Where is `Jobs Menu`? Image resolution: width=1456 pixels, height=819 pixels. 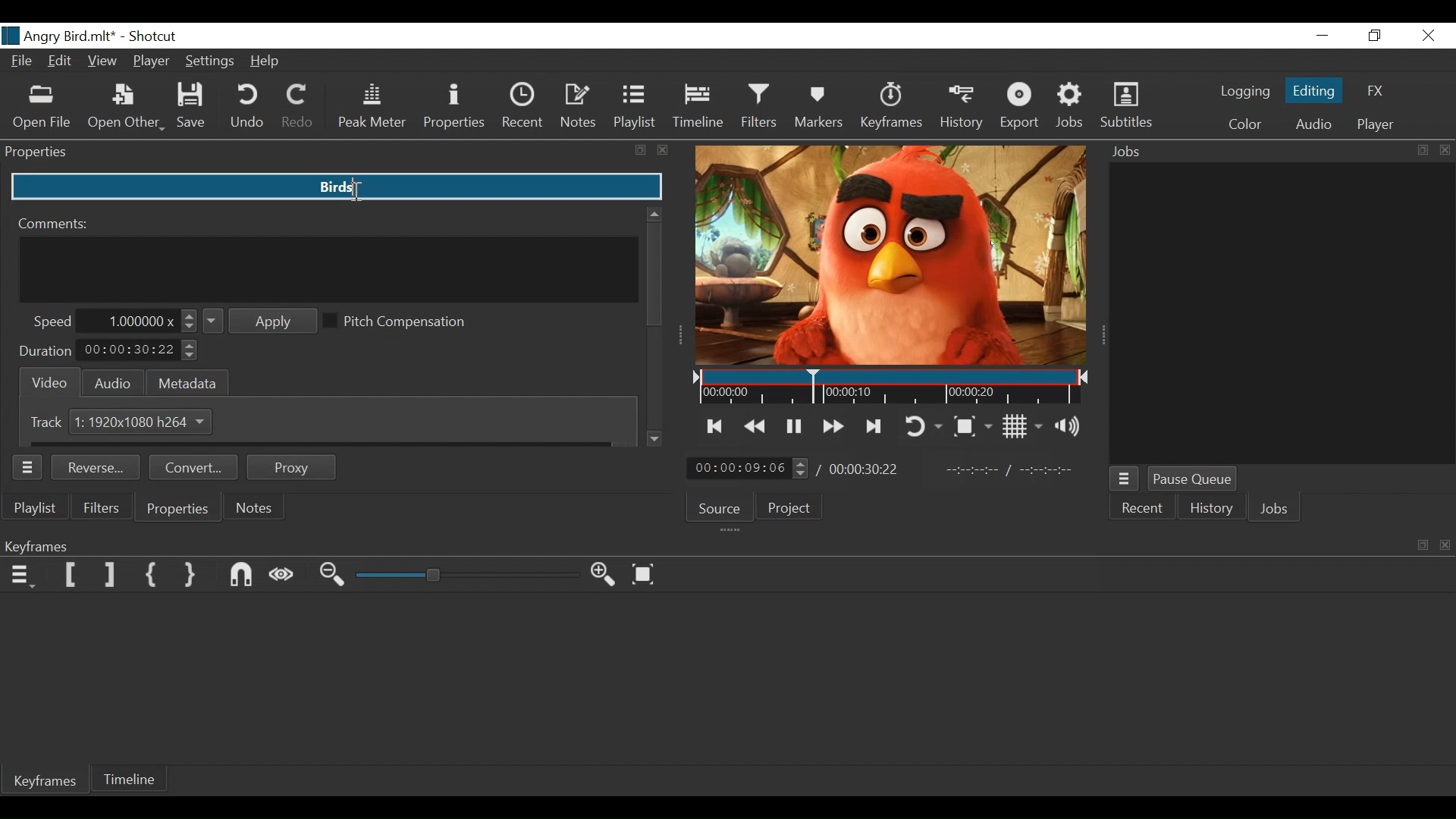 Jobs Menu is located at coordinates (1127, 479).